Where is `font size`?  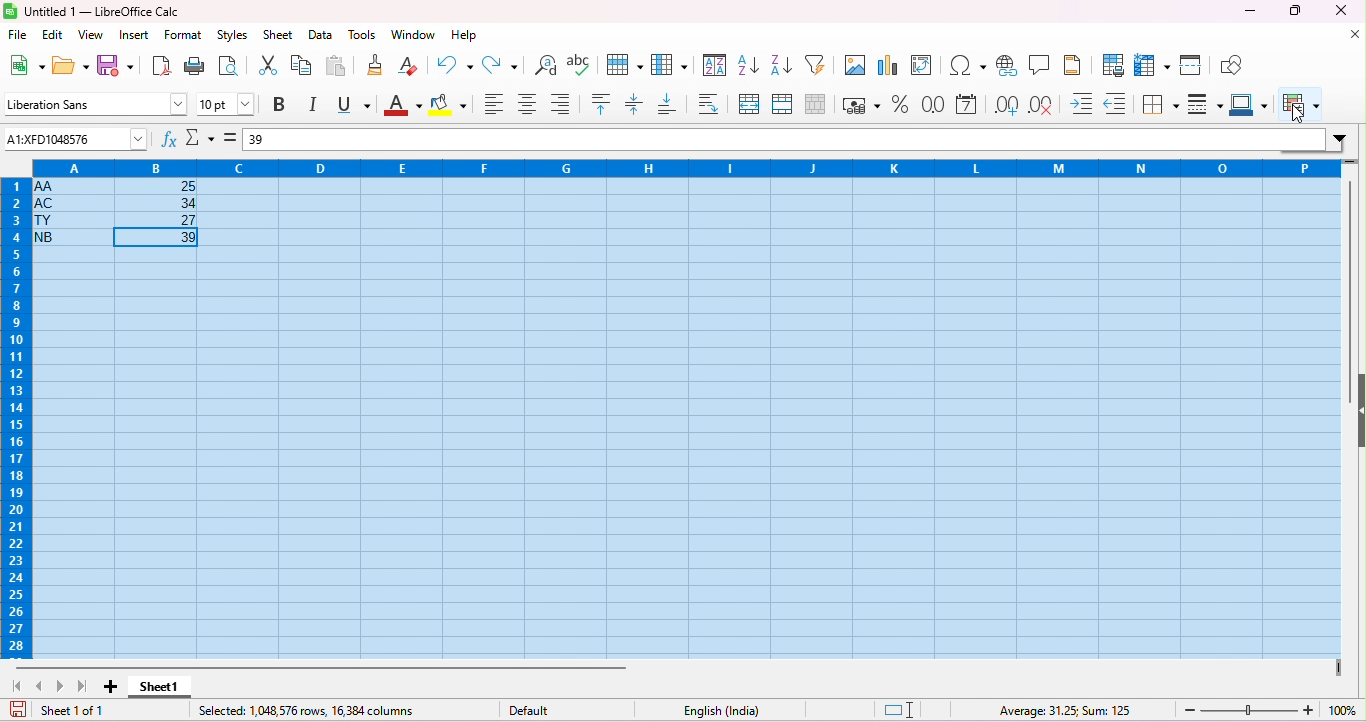
font size is located at coordinates (226, 104).